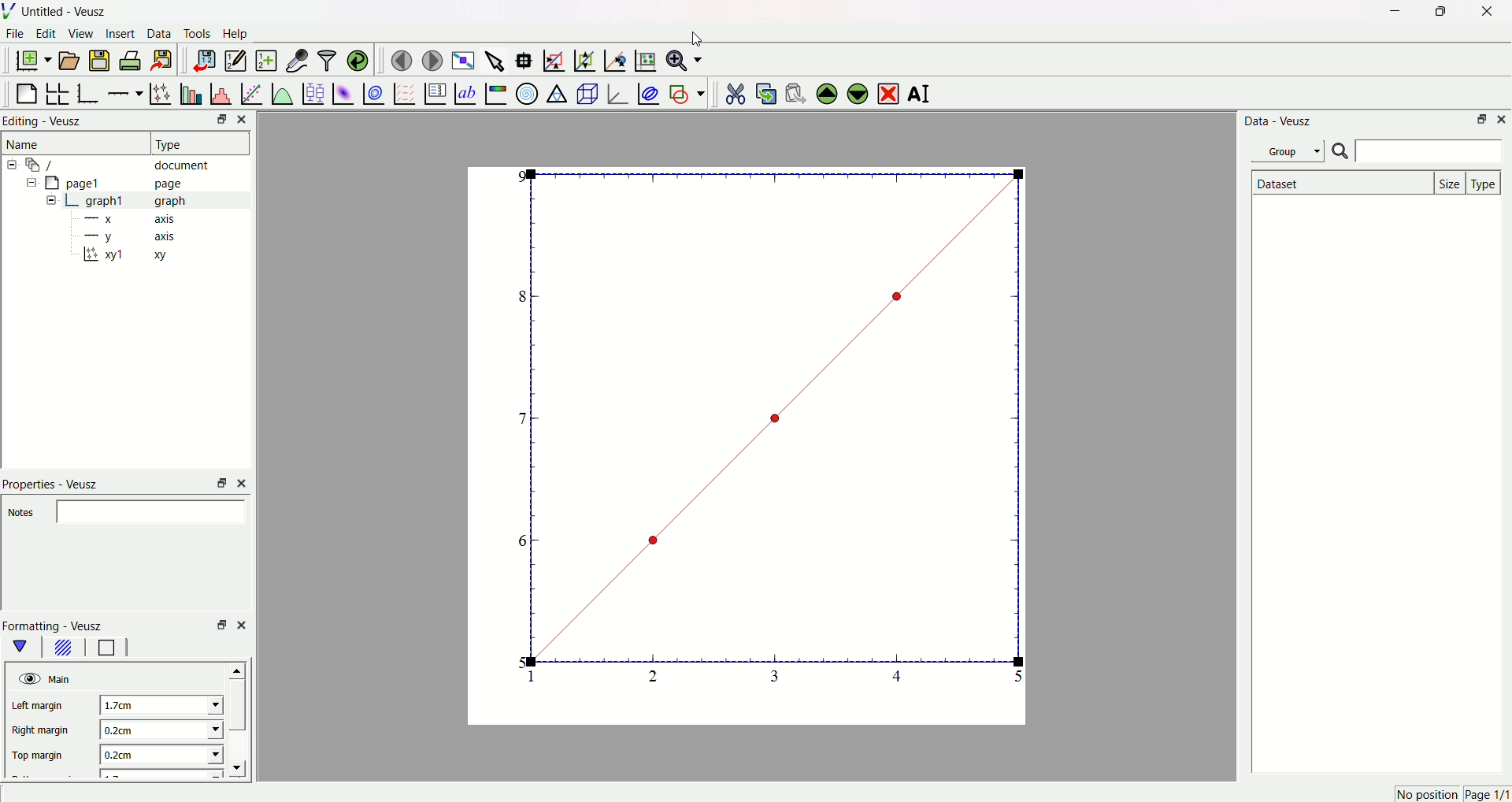 Image resolution: width=1512 pixels, height=802 pixels. I want to click on zoom functions, so click(684, 60).